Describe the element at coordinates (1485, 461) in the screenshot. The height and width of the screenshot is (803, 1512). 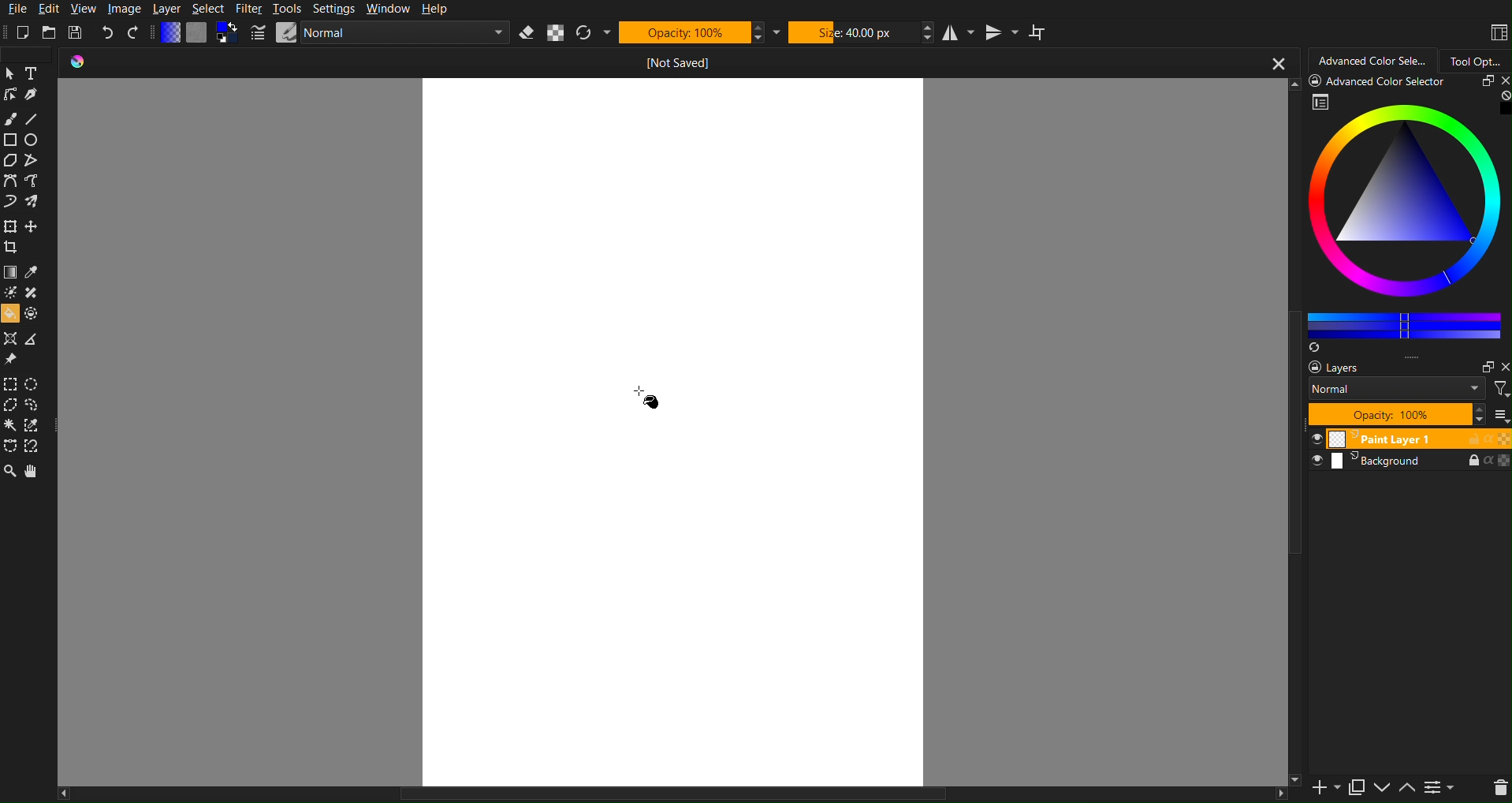
I see `alpha` at that location.